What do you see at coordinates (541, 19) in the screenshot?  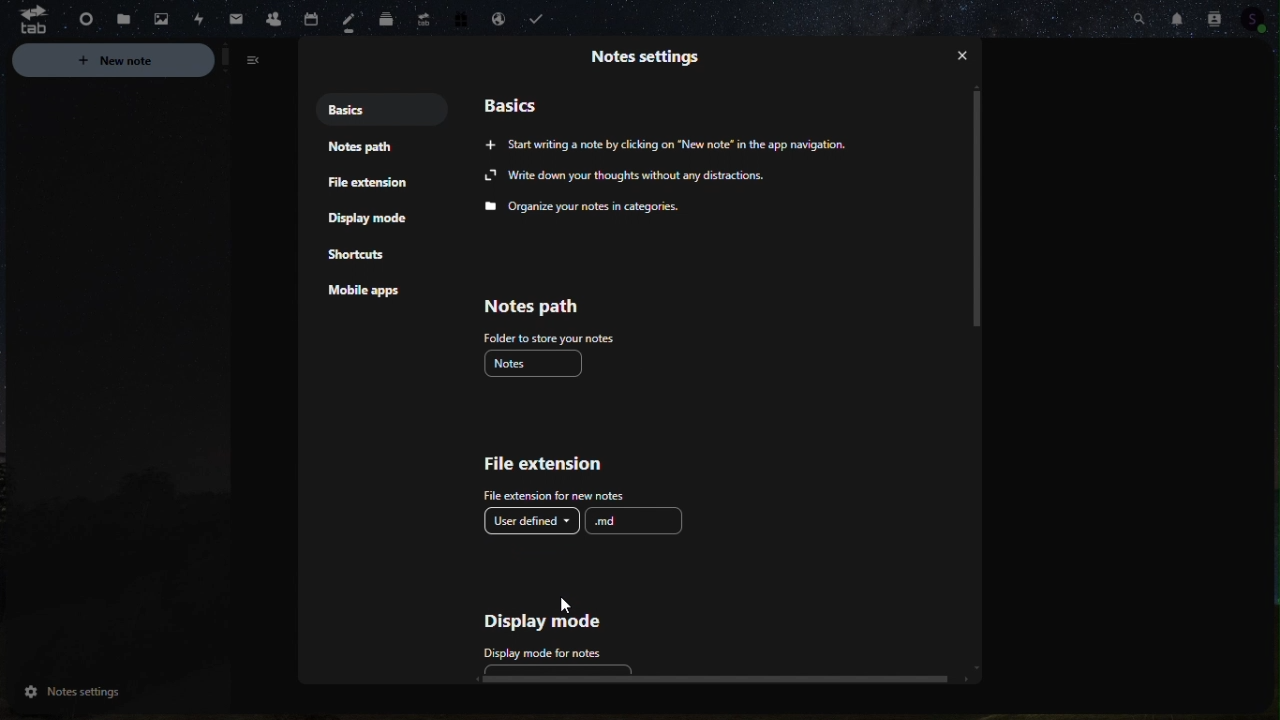 I see `Task` at bounding box center [541, 19].